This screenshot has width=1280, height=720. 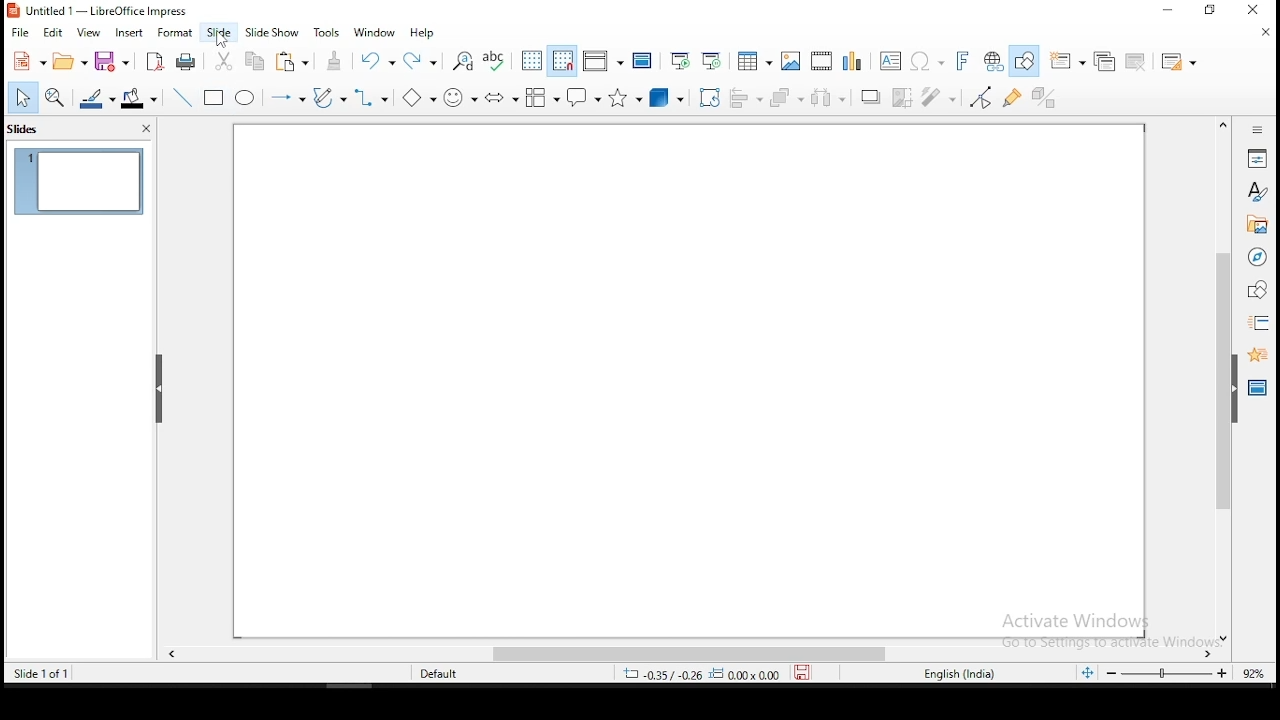 What do you see at coordinates (155, 60) in the screenshot?
I see `acrobat as pdf` at bounding box center [155, 60].